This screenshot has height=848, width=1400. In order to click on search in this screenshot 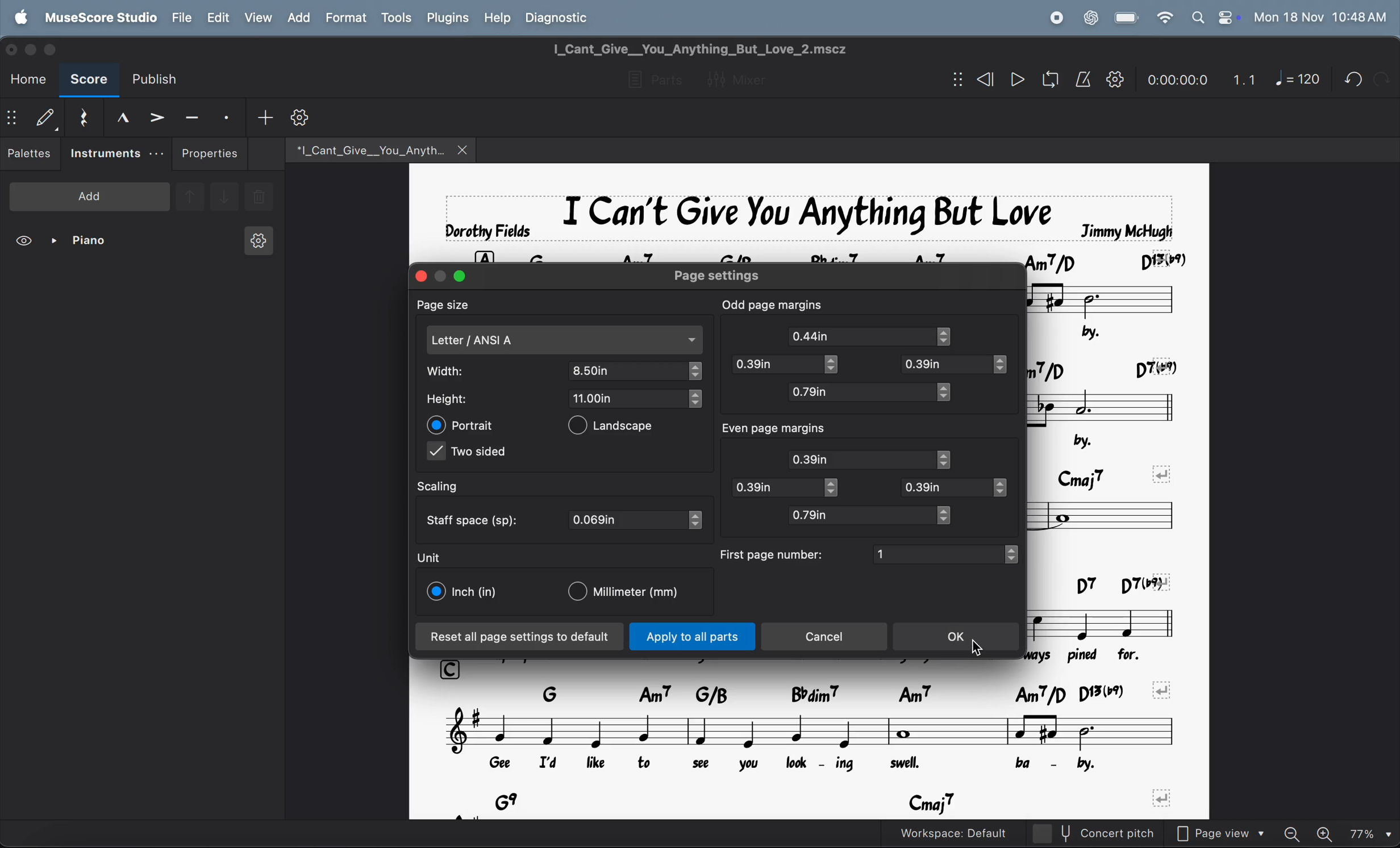, I will do `click(1197, 17)`.